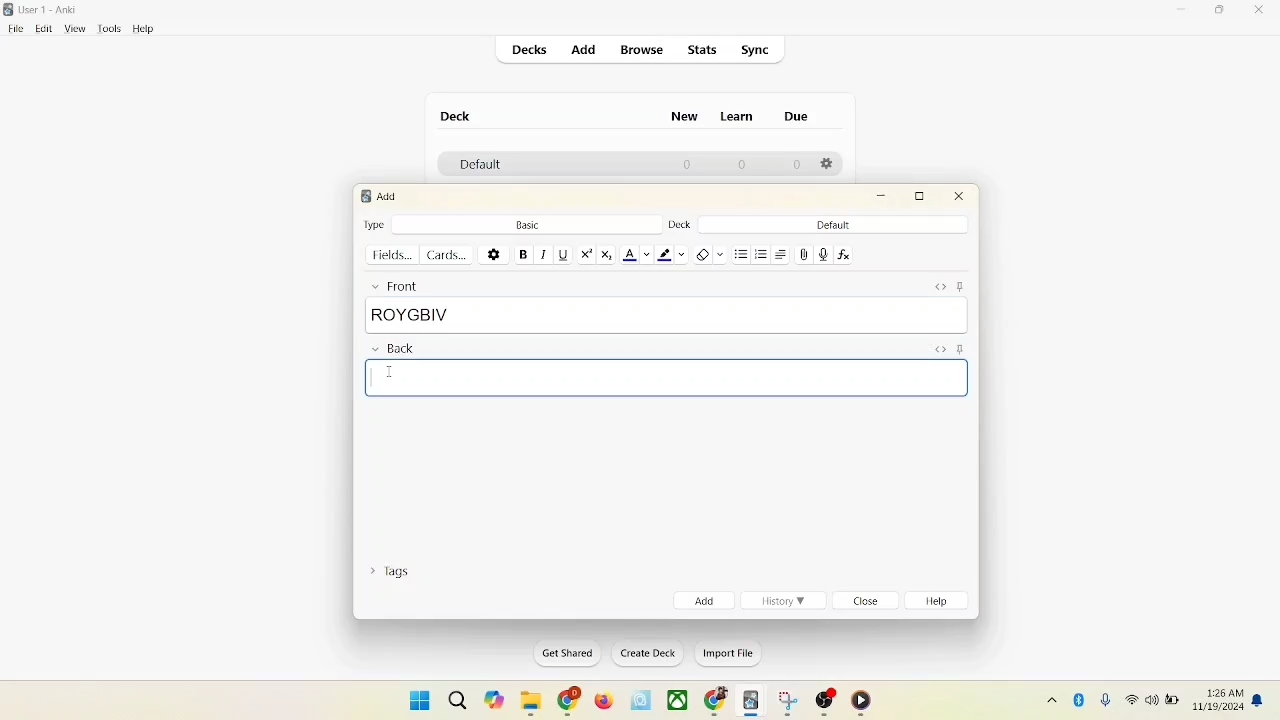  What do you see at coordinates (704, 51) in the screenshot?
I see `stats` at bounding box center [704, 51].